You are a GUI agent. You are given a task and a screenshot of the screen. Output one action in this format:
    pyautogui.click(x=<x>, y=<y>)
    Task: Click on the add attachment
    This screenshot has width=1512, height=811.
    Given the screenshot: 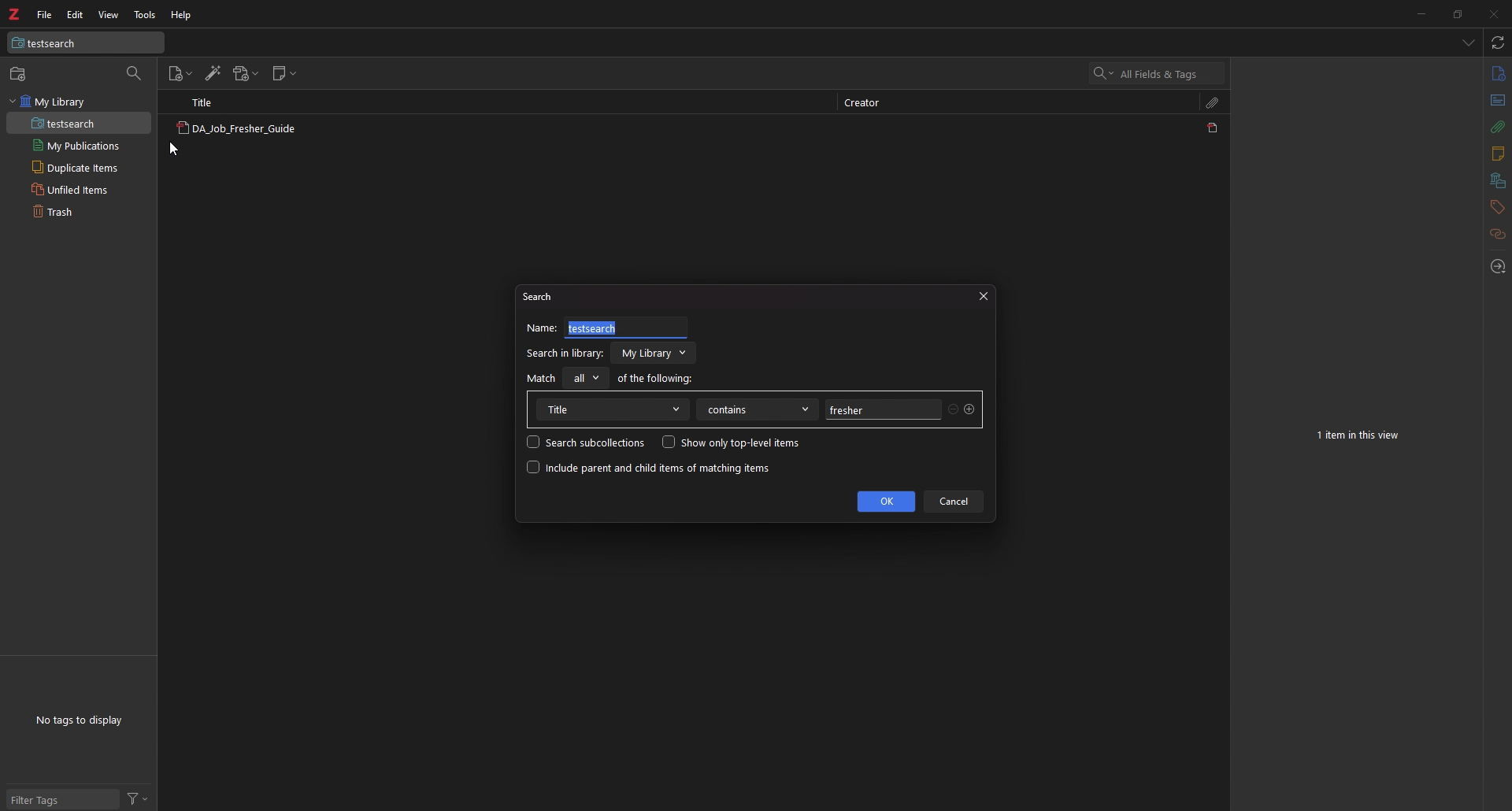 What is the action you would take?
    pyautogui.click(x=246, y=73)
    